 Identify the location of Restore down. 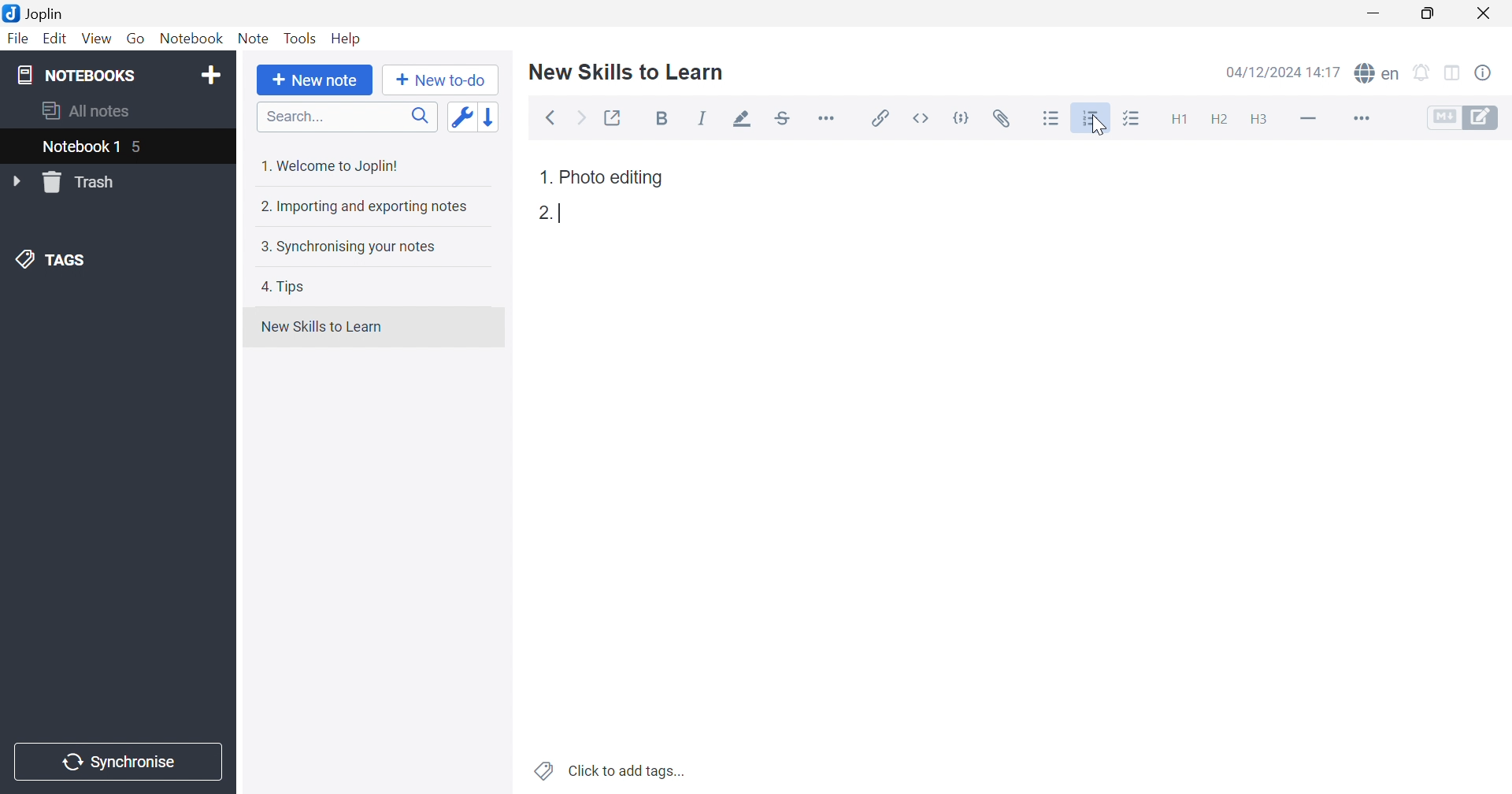
(1427, 13).